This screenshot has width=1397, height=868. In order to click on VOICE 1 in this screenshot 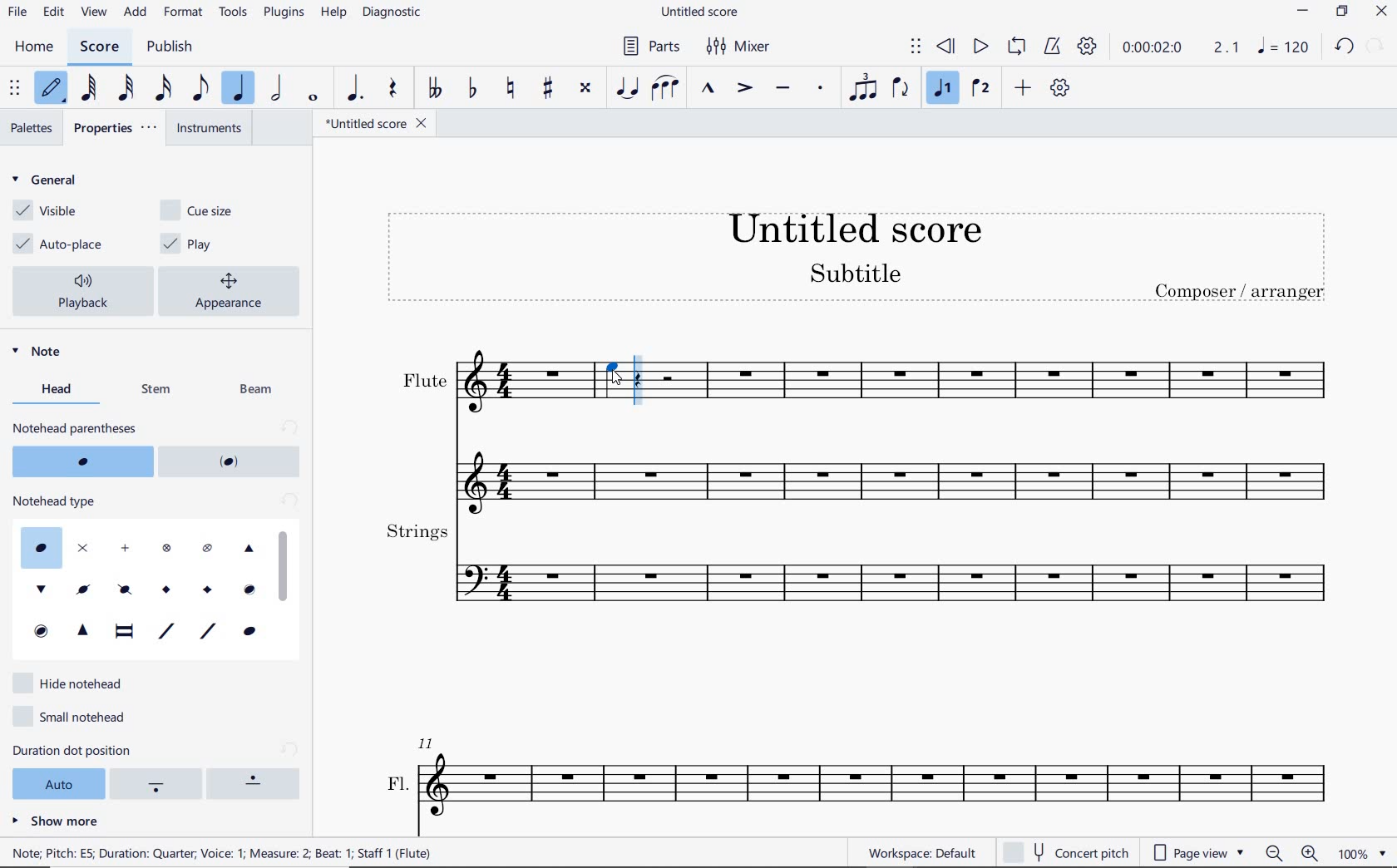, I will do `click(942, 88)`.